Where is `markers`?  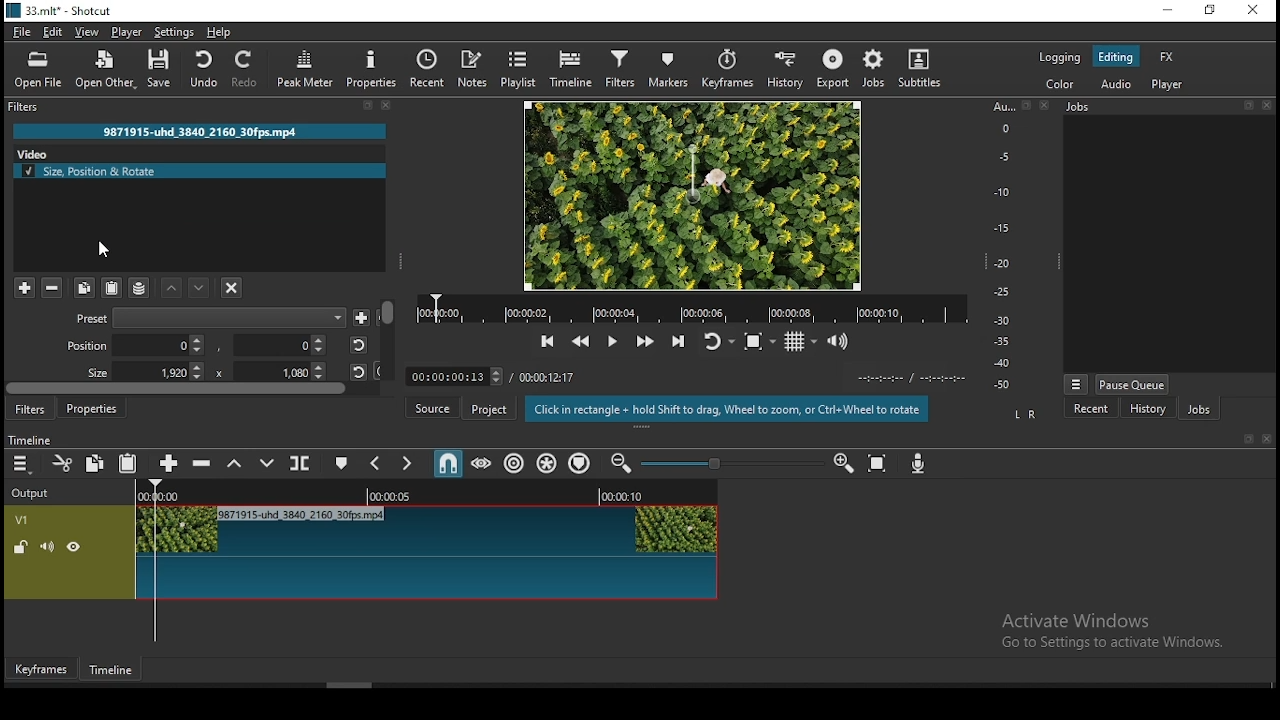 markers is located at coordinates (668, 69).